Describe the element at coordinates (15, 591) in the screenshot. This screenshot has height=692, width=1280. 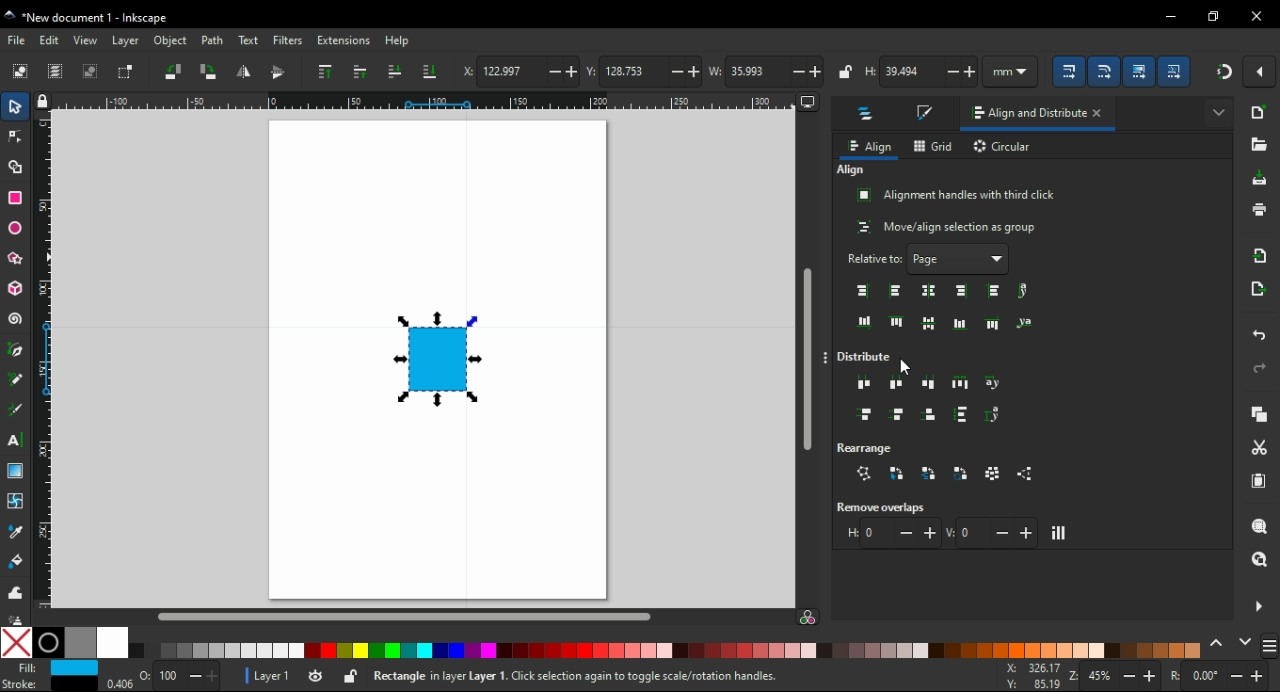
I see `tweak tool` at that location.